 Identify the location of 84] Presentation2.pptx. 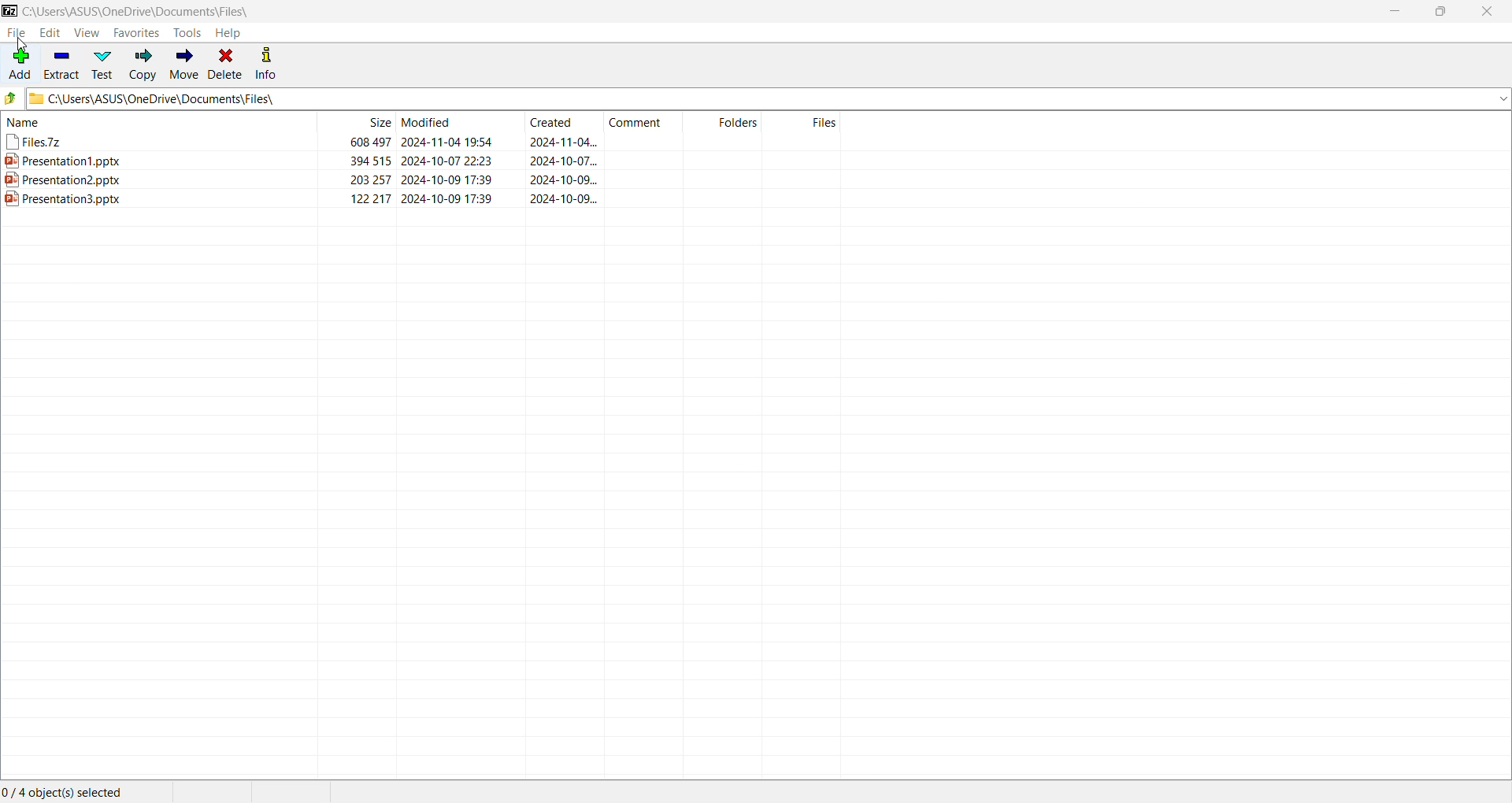
(64, 182).